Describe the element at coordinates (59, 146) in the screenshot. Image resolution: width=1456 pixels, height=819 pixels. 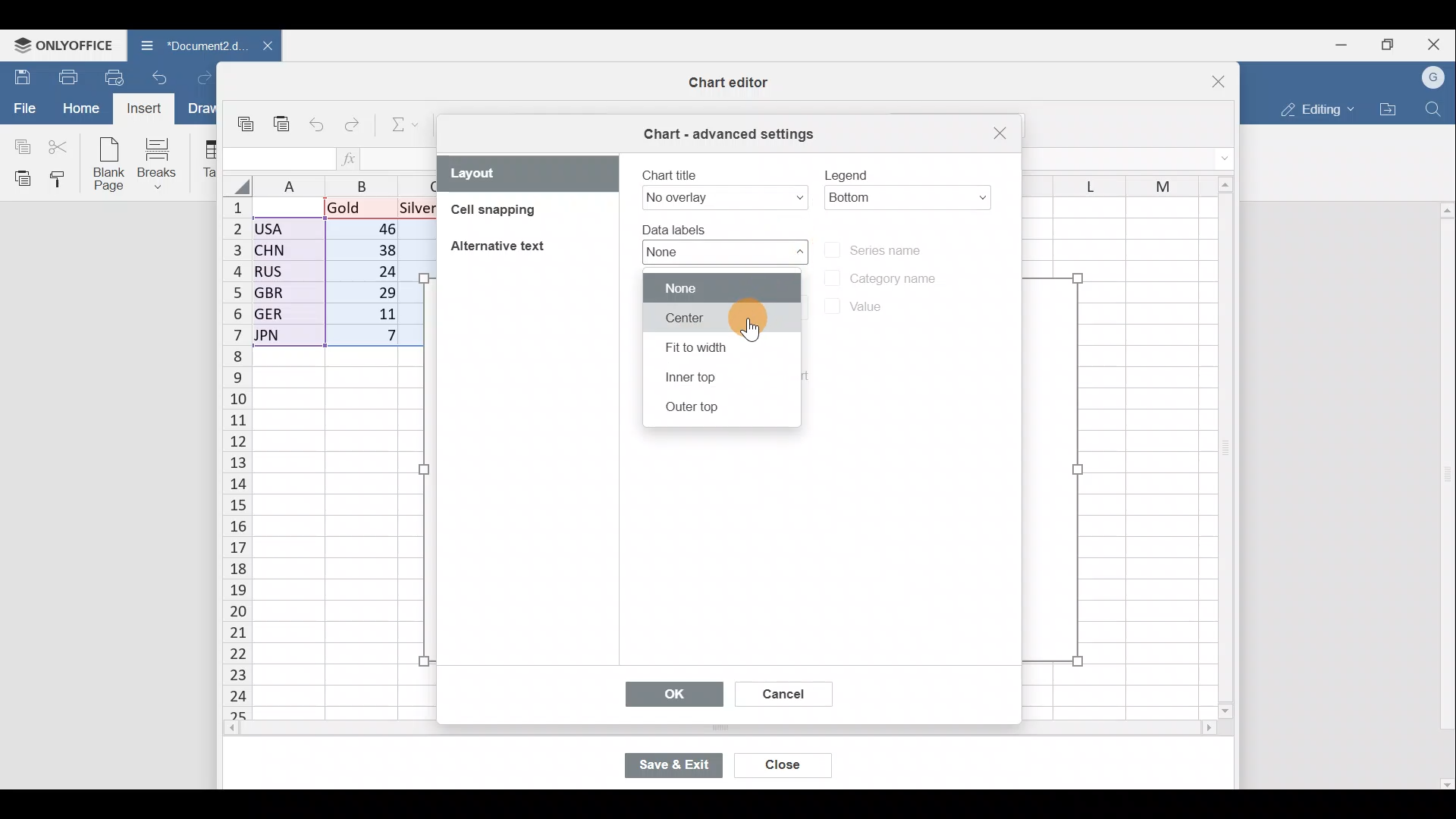
I see `Cut` at that location.